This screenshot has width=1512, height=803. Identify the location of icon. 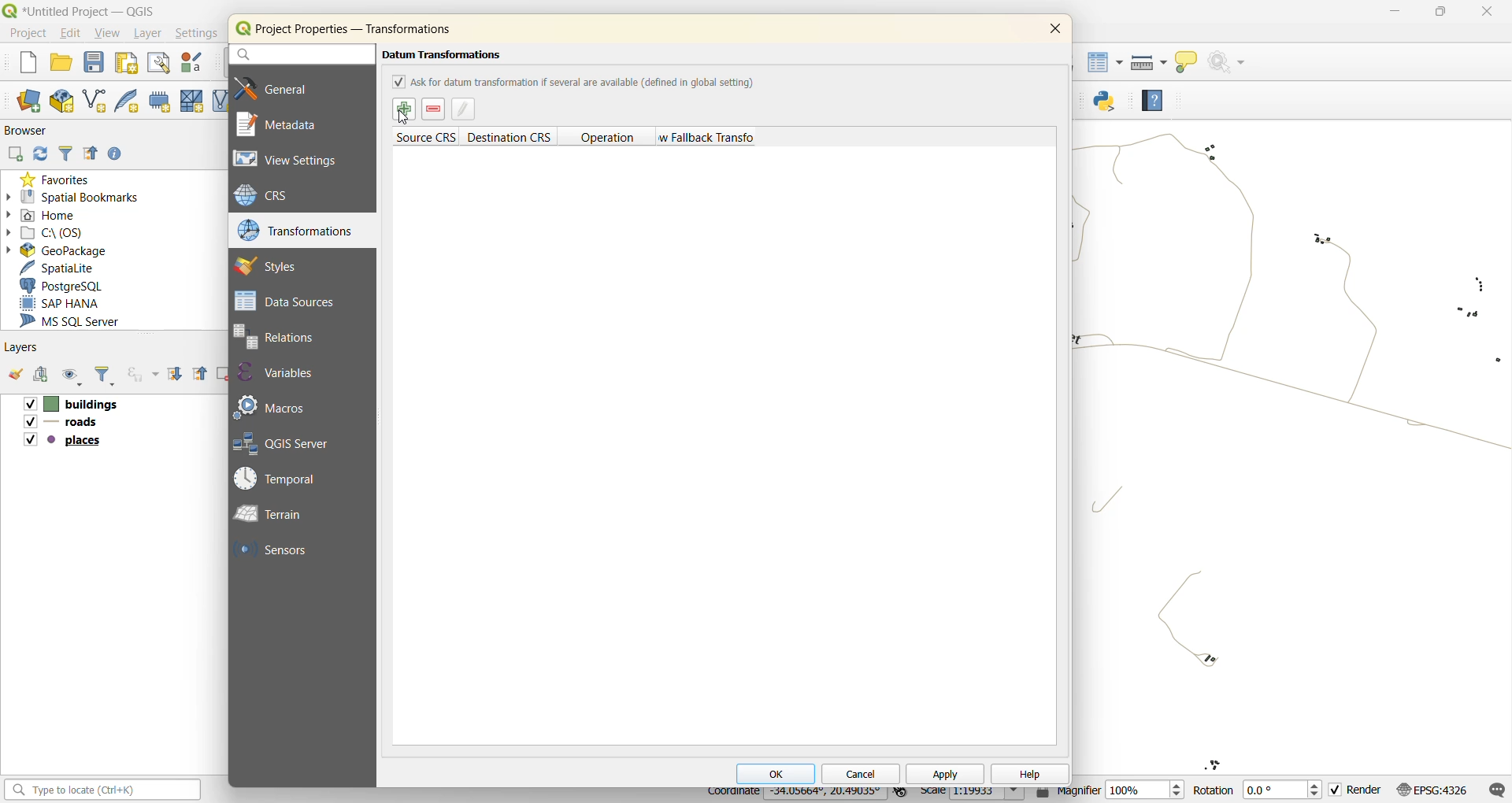
(243, 28).